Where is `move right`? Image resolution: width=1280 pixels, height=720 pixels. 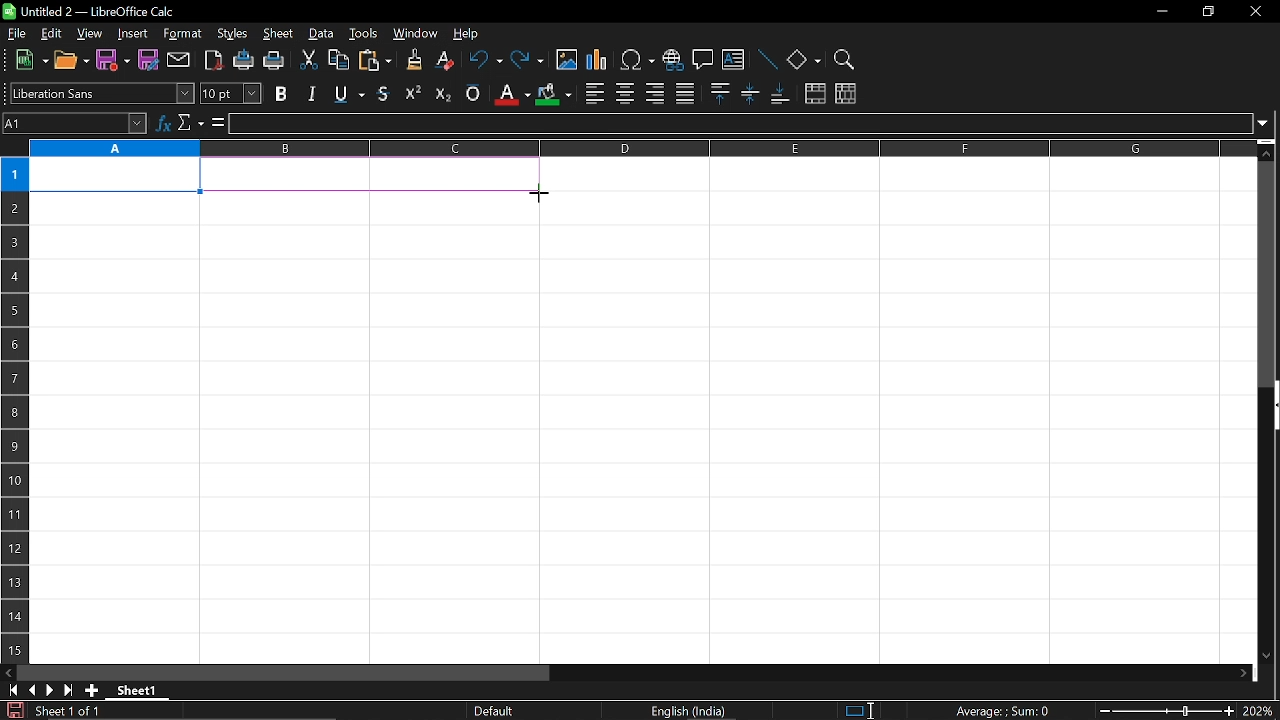 move right is located at coordinates (1245, 672).